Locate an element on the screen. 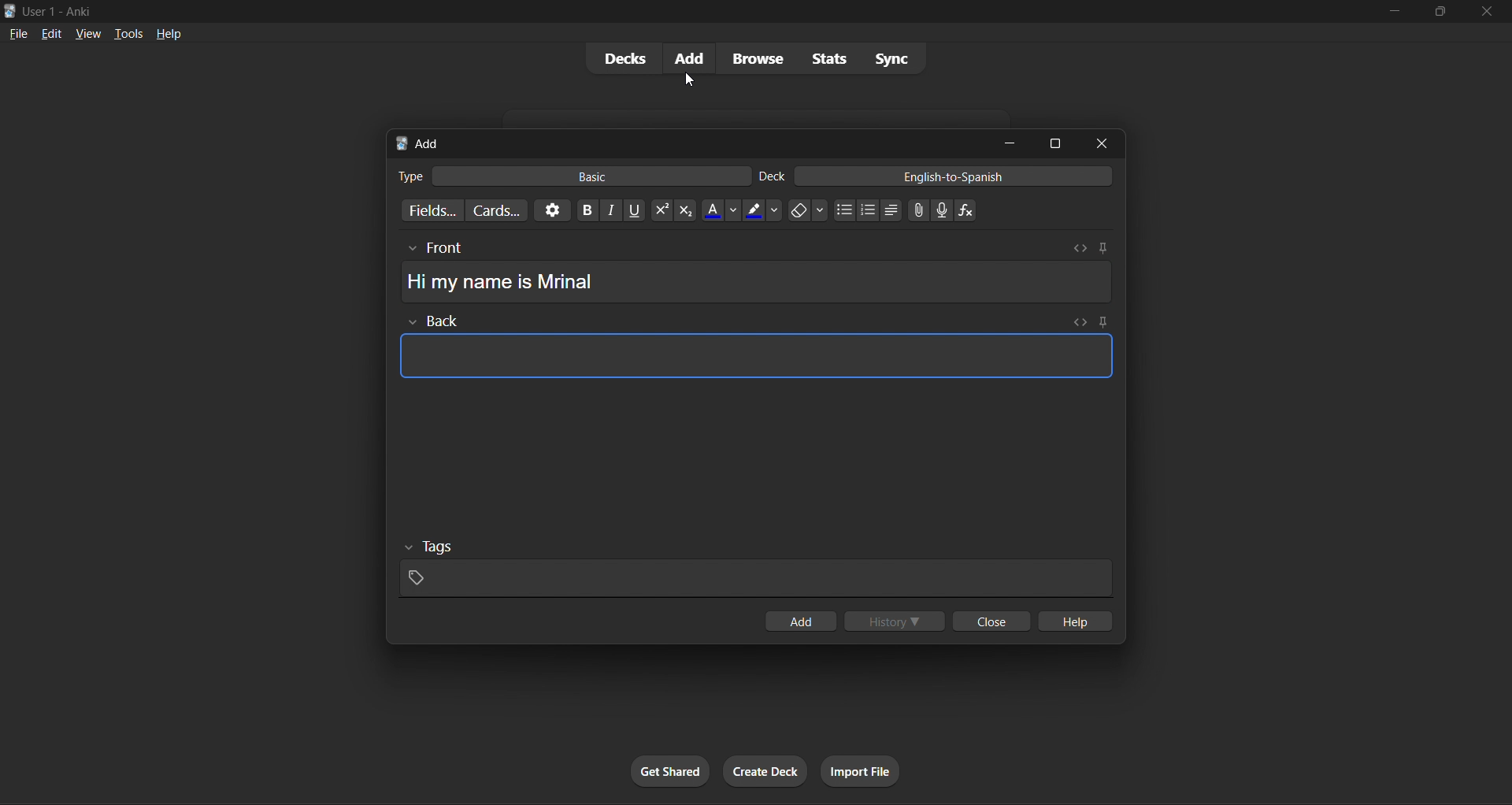 This screenshot has height=805, width=1512. maximize/restore is located at coordinates (1436, 12).